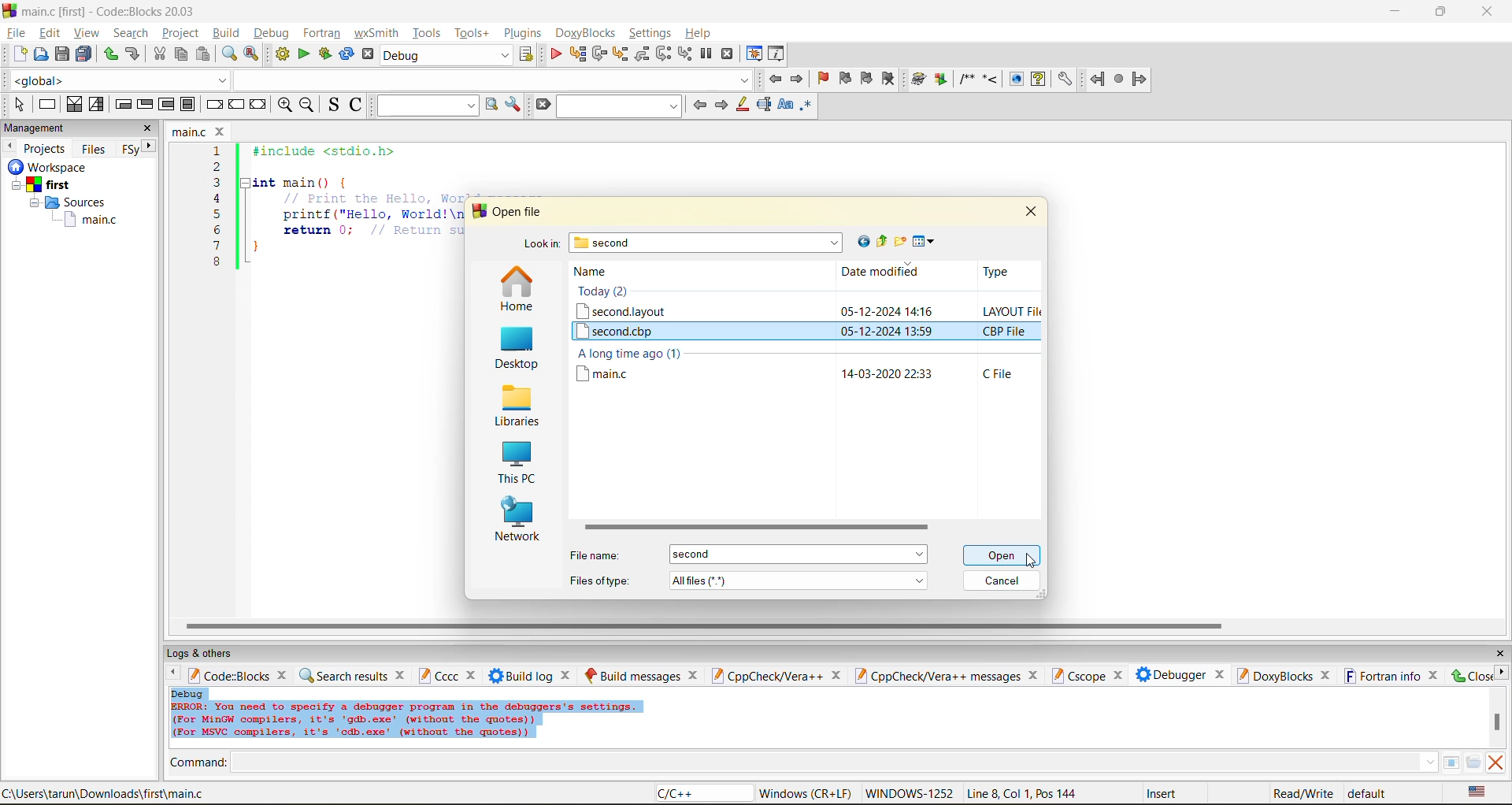 The width and height of the screenshot is (1512, 805). What do you see at coordinates (269, 33) in the screenshot?
I see `debug` at bounding box center [269, 33].